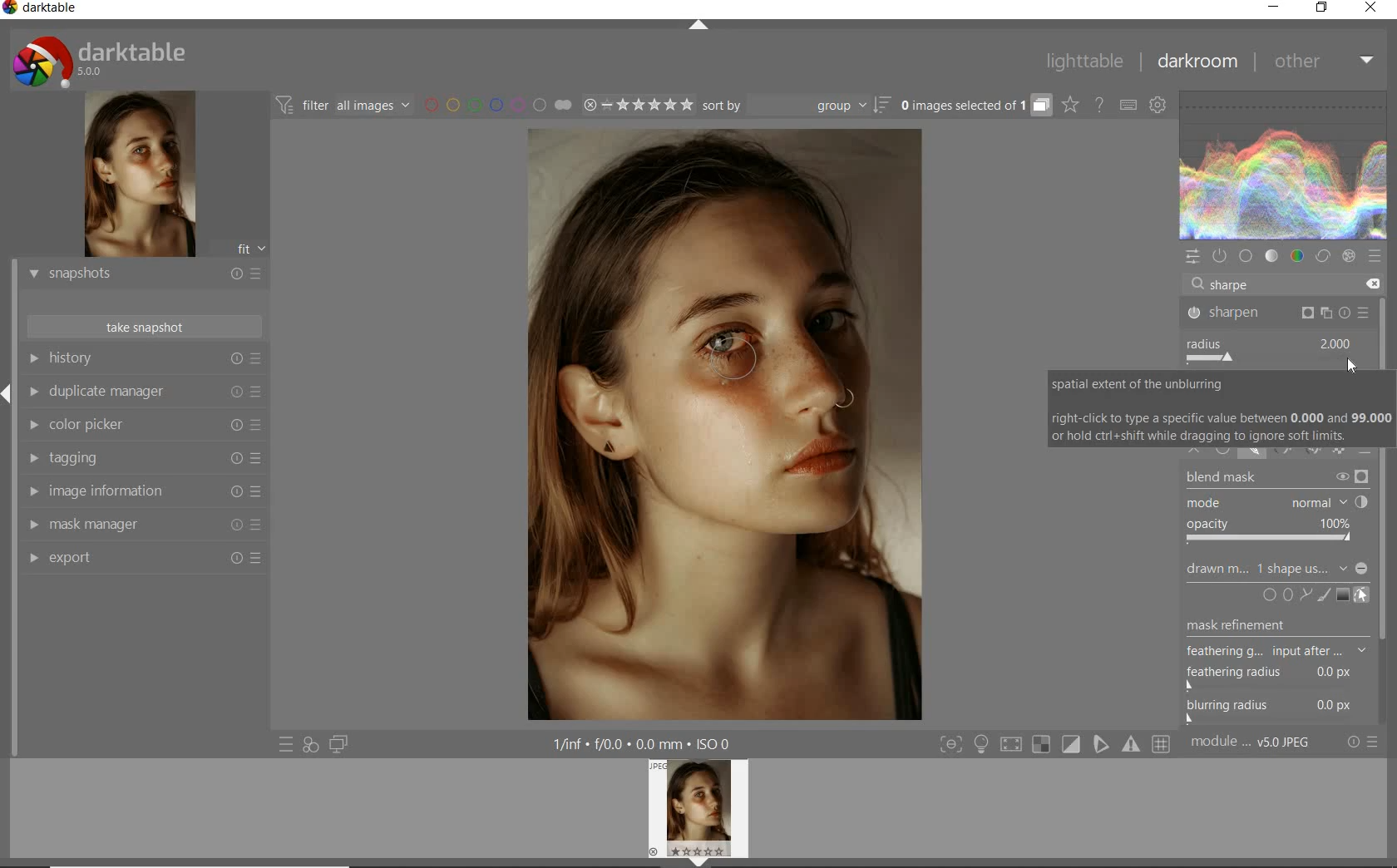  Describe the element at coordinates (1364, 742) in the screenshot. I see `reset or presets & preferences` at that location.